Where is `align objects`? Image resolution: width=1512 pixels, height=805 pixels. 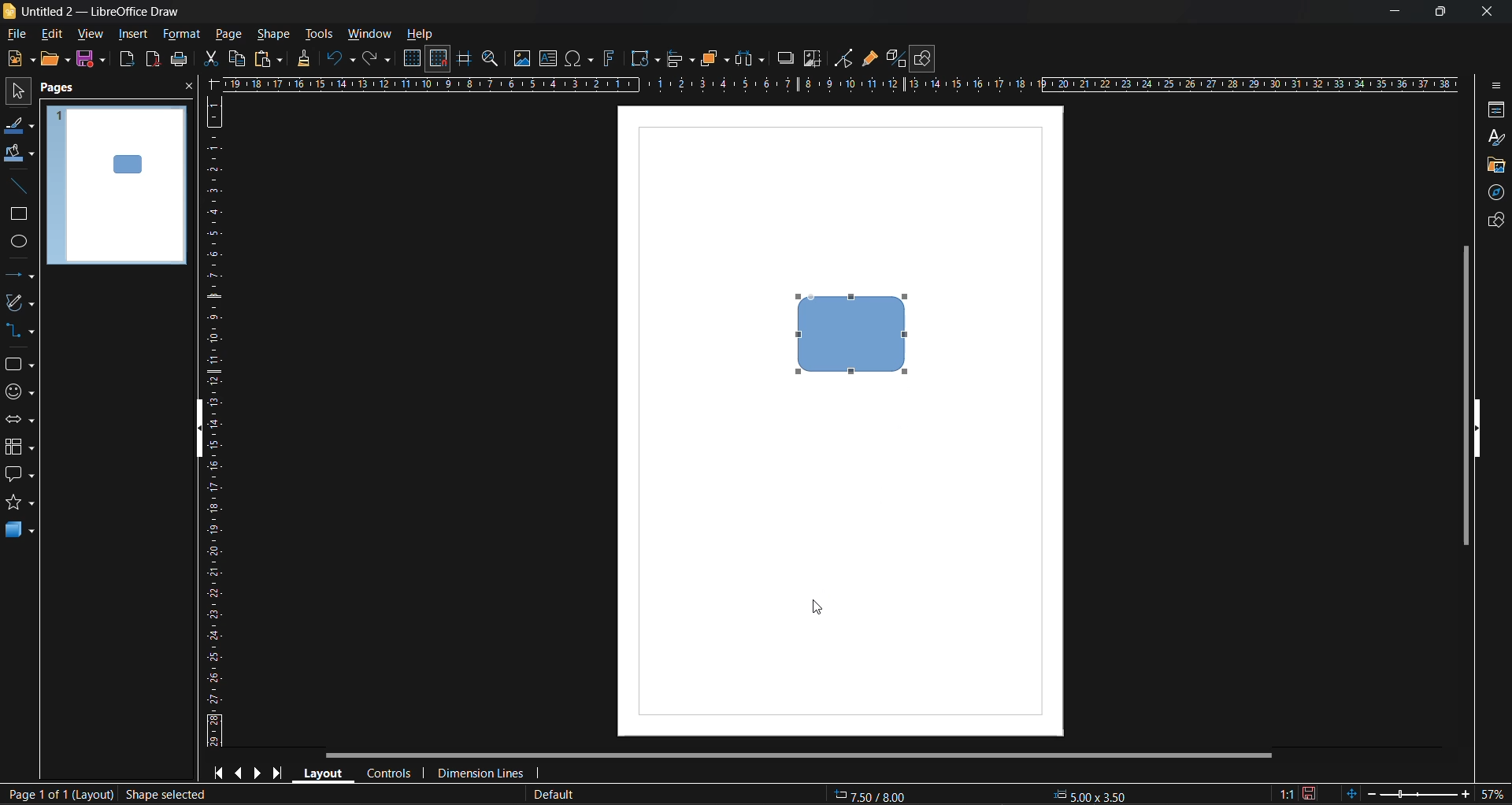 align objects is located at coordinates (682, 61).